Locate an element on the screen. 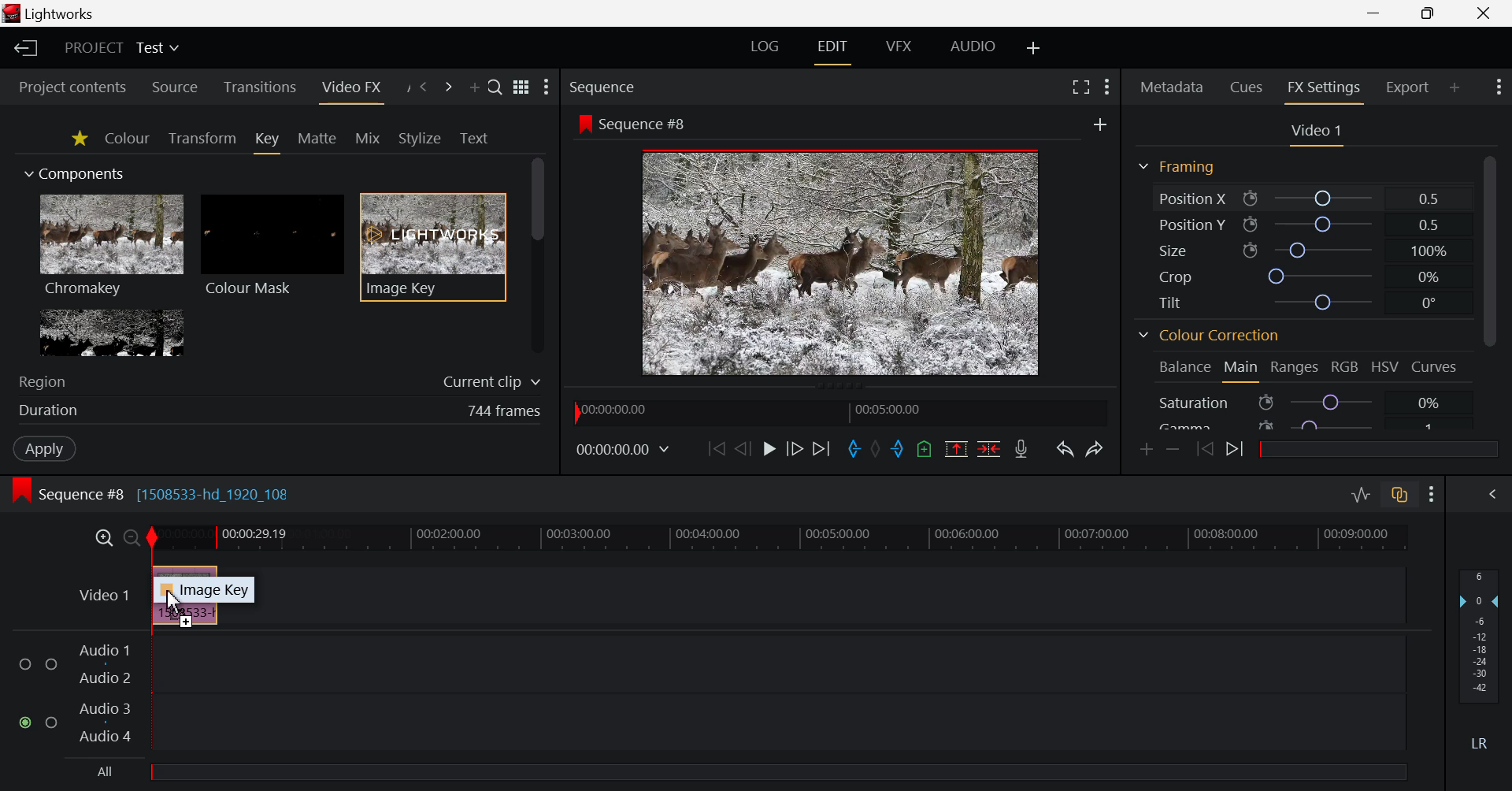  Position Y is located at coordinates (1325, 226).